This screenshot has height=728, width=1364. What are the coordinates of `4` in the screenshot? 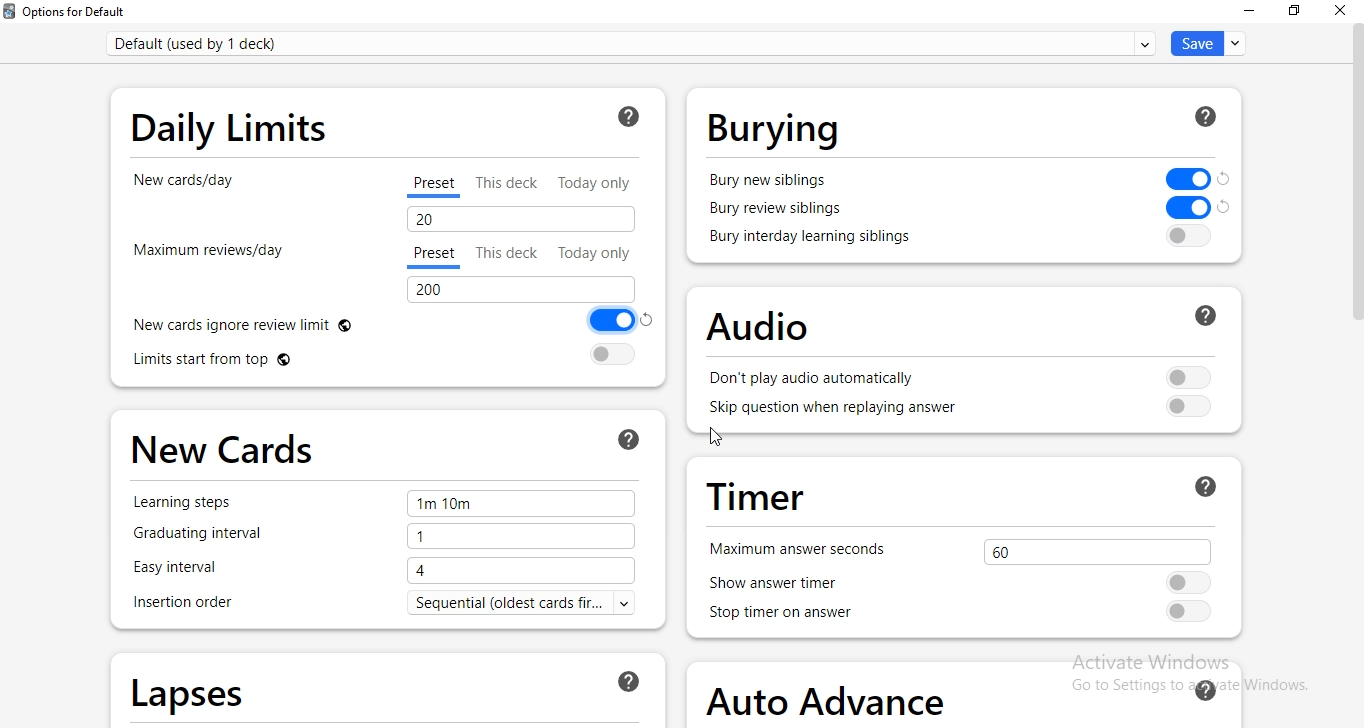 It's located at (525, 569).